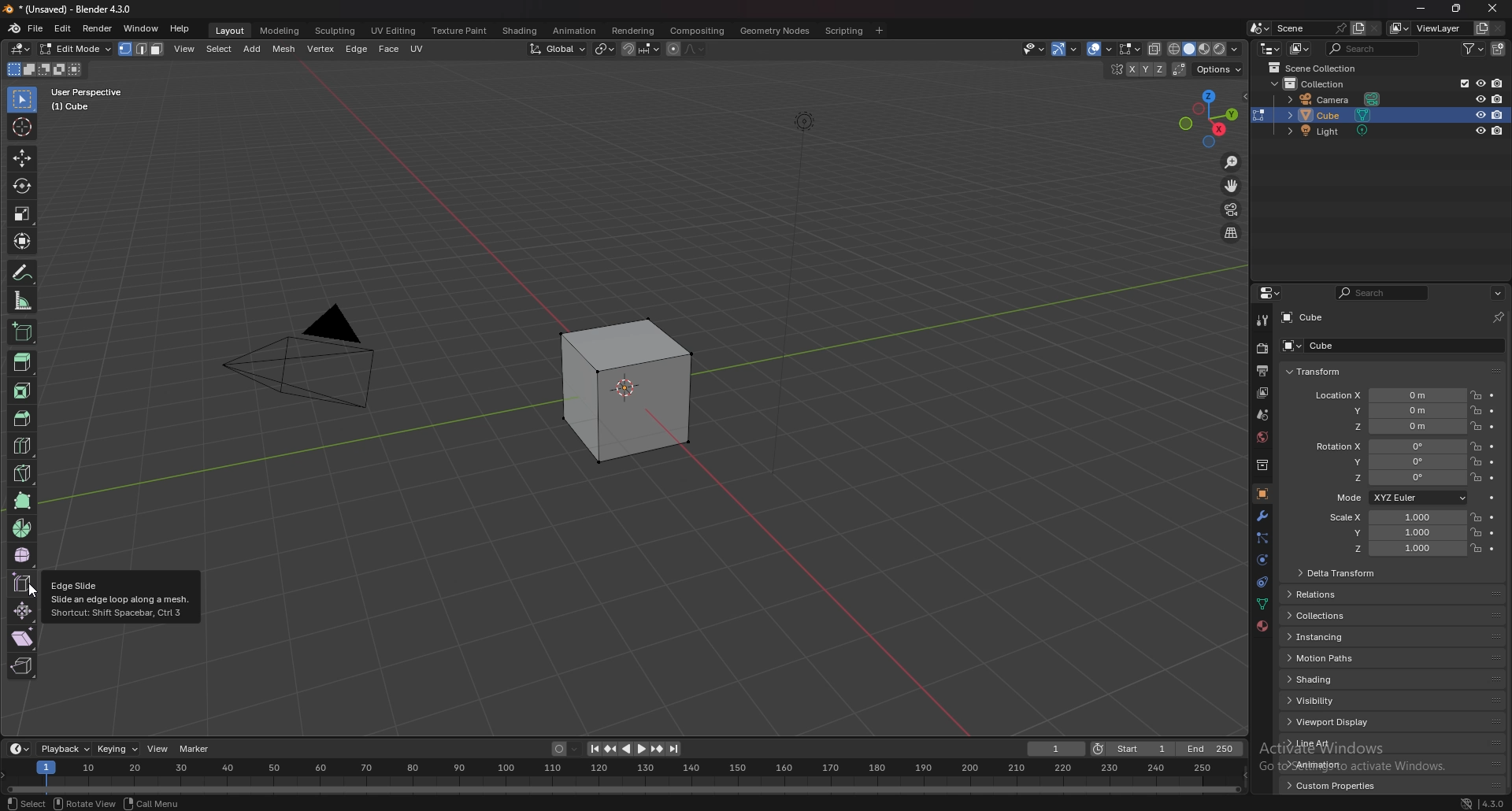 The width and height of the screenshot is (1512, 811). What do you see at coordinates (1232, 233) in the screenshot?
I see `perspective/orthographic projection` at bounding box center [1232, 233].